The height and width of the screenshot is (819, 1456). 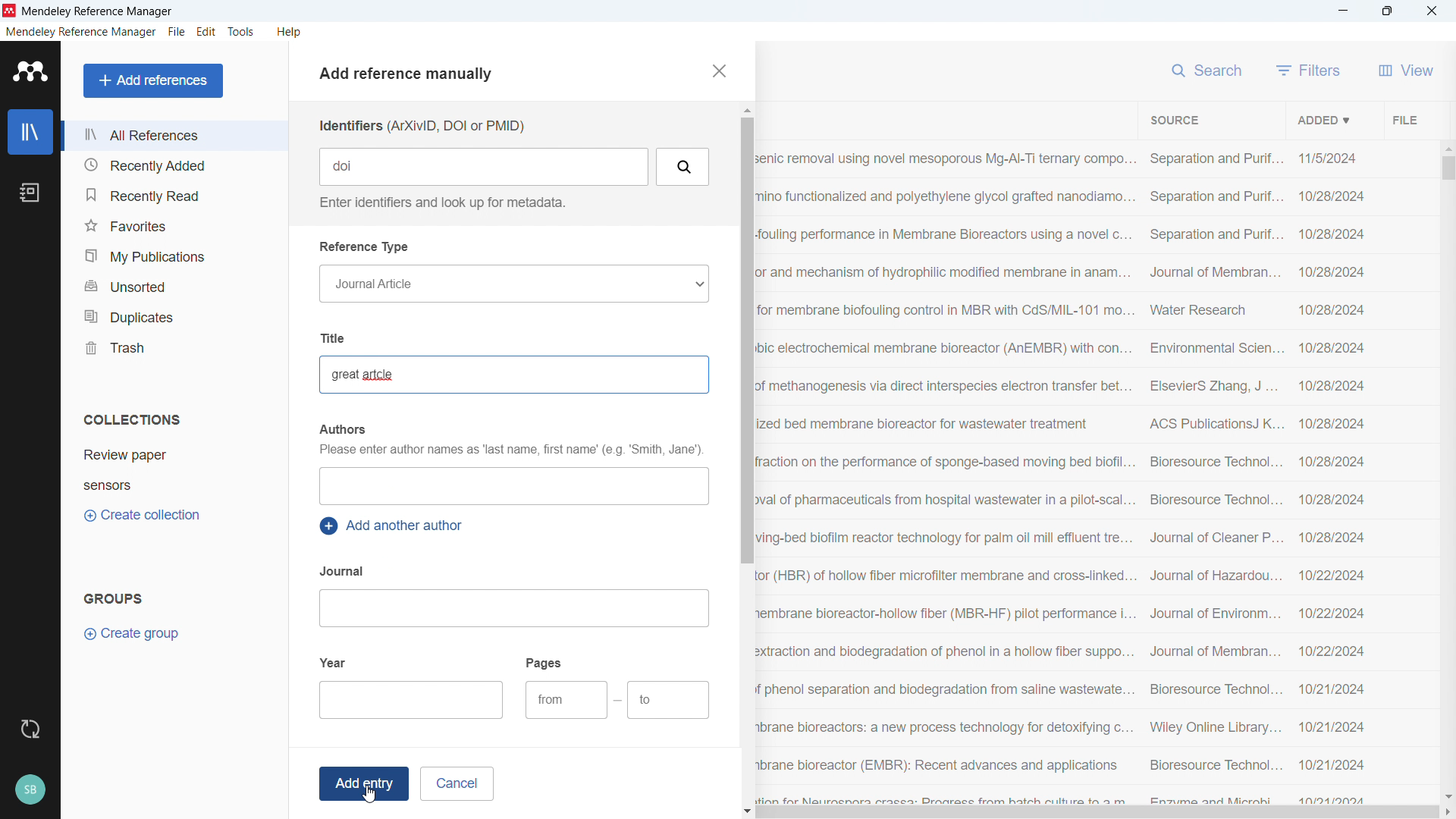 I want to click on Profile , so click(x=30, y=790).